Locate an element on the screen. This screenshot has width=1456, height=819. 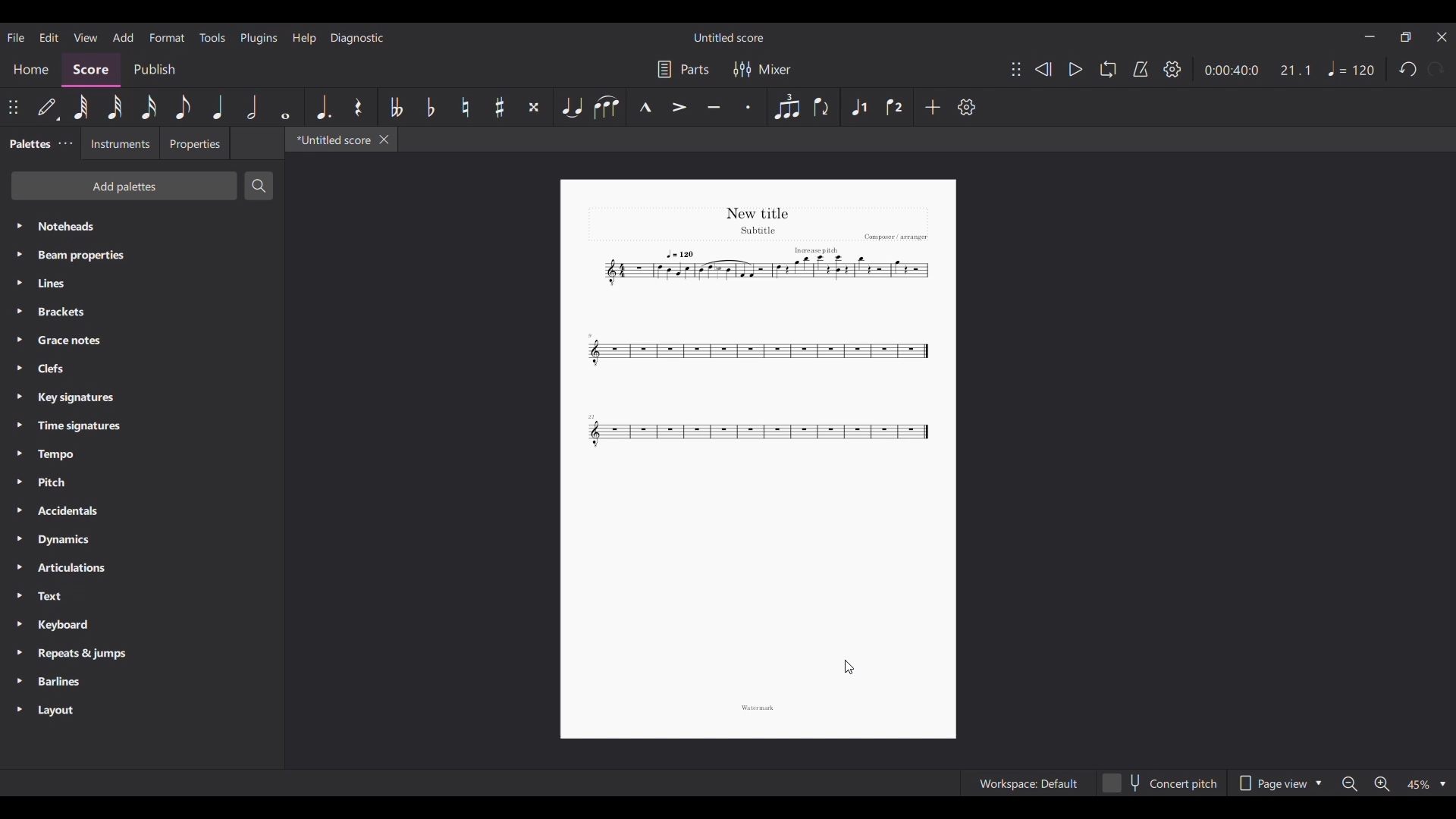
Tuplet is located at coordinates (786, 107).